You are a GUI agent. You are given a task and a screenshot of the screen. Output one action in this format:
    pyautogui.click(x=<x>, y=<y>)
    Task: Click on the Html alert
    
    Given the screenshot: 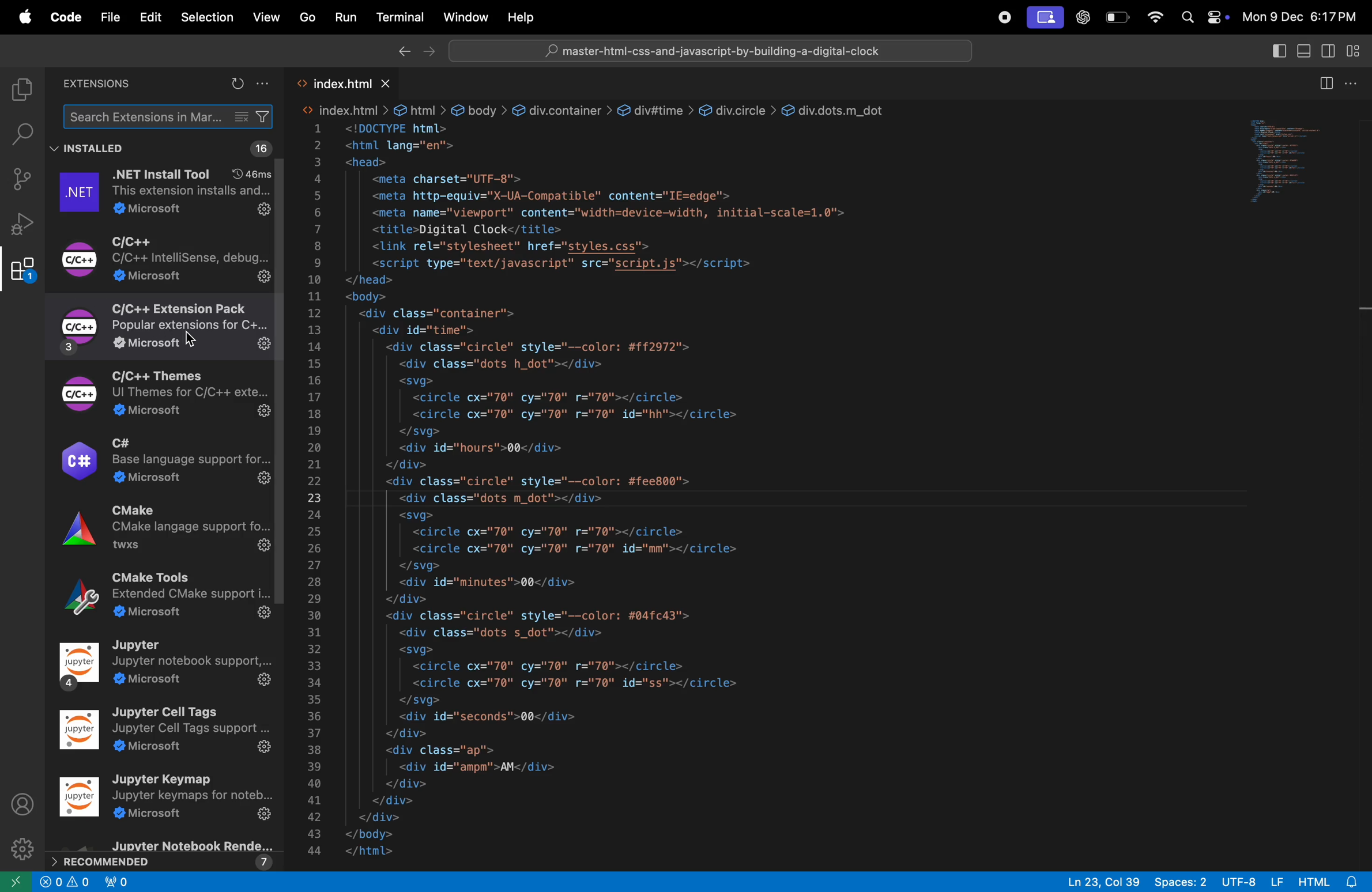 What is the action you would take?
    pyautogui.click(x=1332, y=882)
    